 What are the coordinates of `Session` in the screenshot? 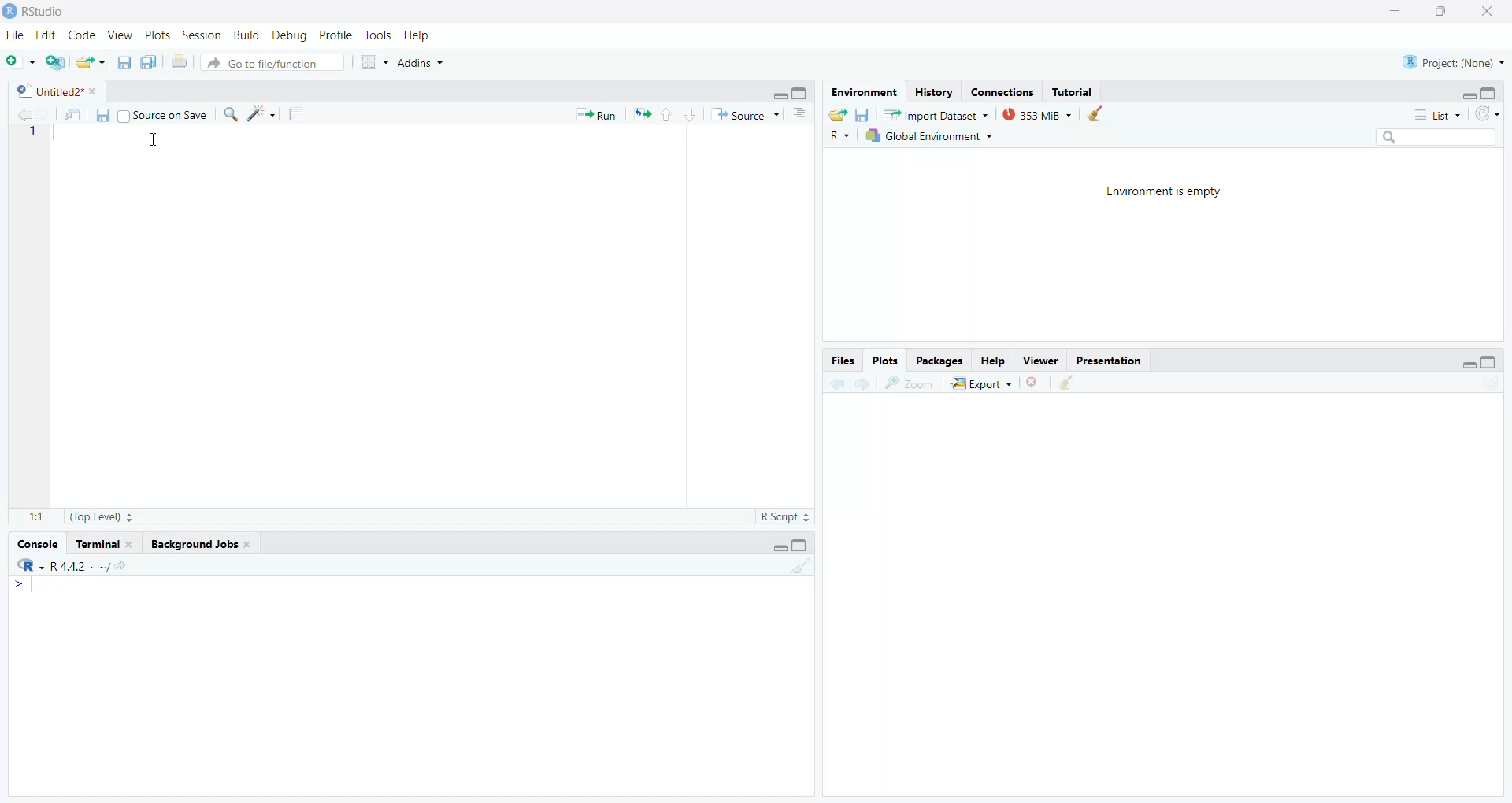 It's located at (200, 36).